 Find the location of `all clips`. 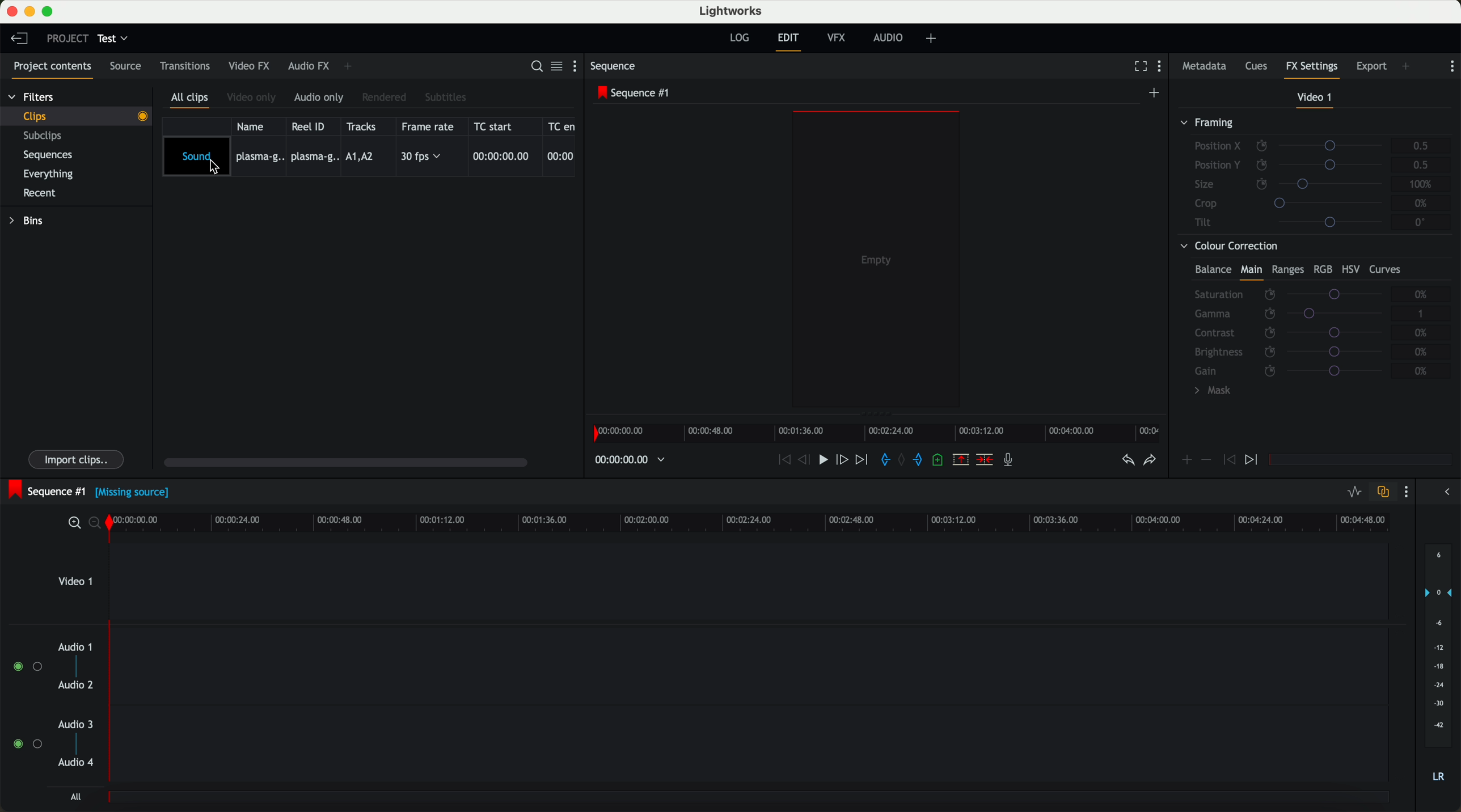

all clips is located at coordinates (192, 99).